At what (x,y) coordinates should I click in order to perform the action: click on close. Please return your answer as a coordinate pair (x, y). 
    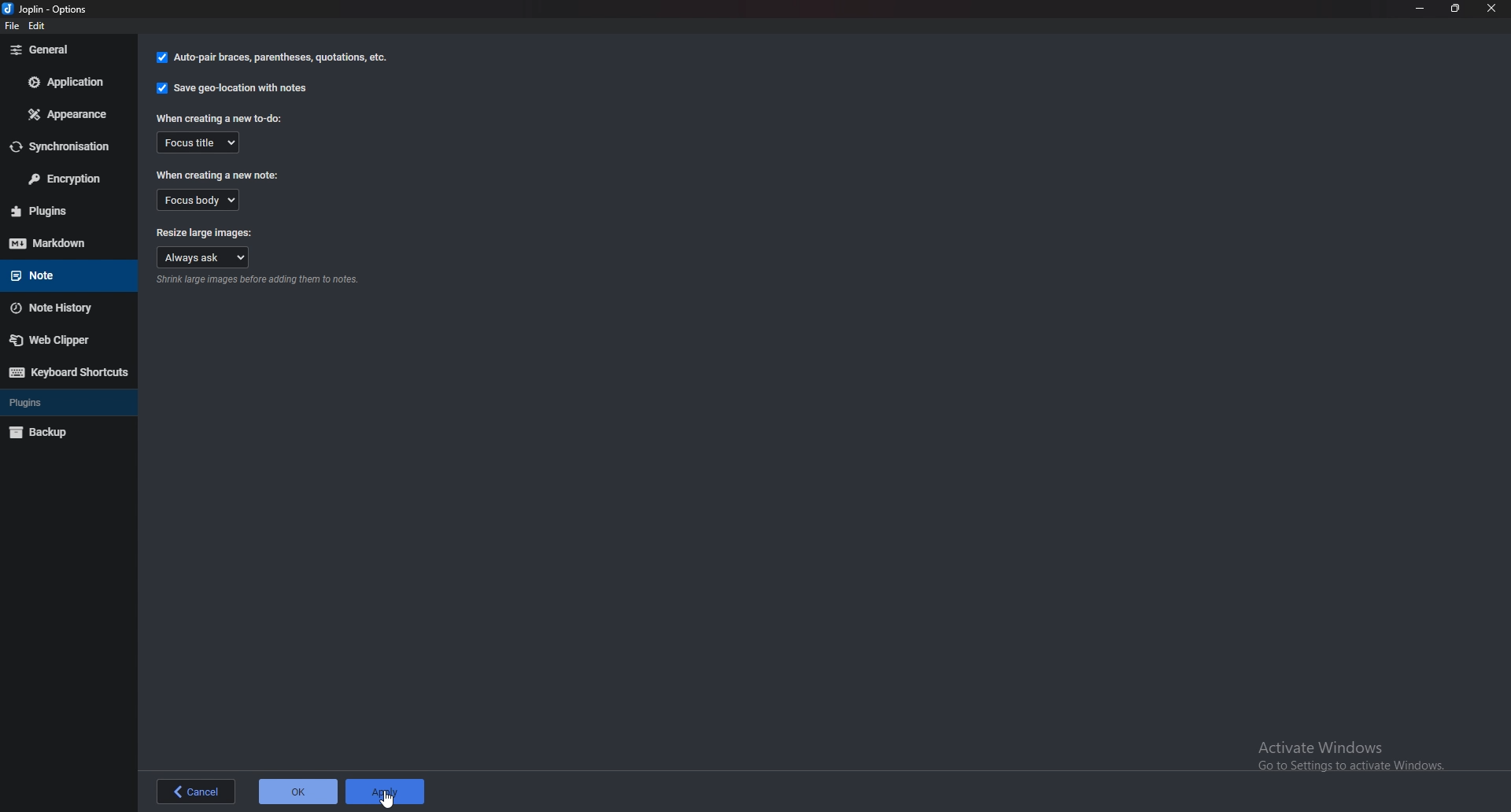
    Looking at the image, I should click on (1492, 8).